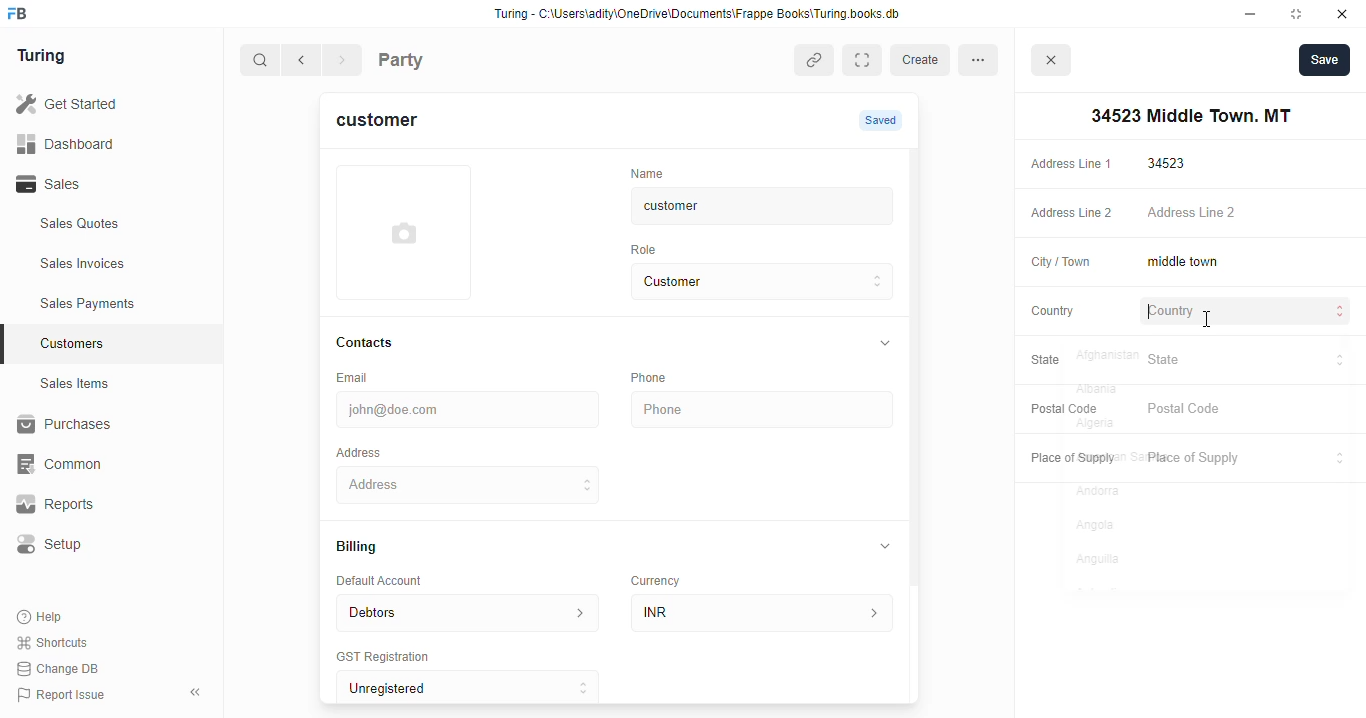 This screenshot has width=1366, height=718. I want to click on Shortcuts, so click(58, 643).